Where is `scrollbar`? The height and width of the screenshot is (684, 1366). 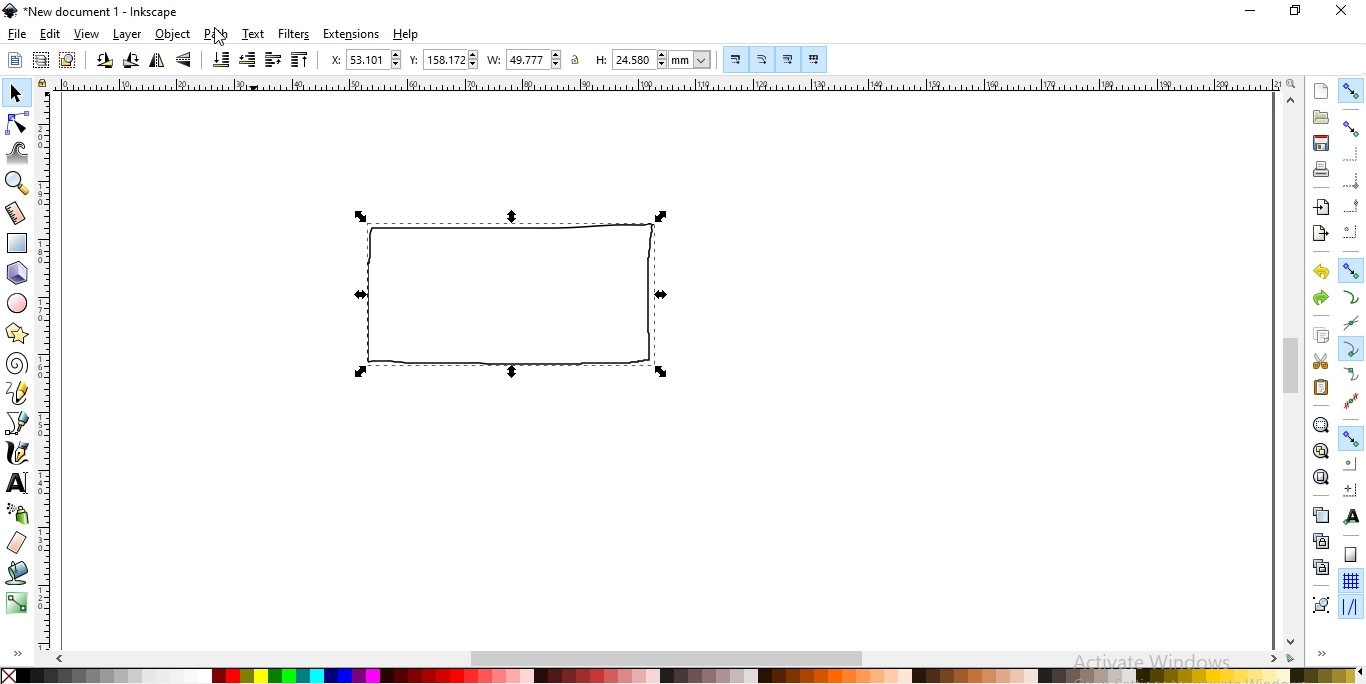 scrollbar is located at coordinates (1291, 367).